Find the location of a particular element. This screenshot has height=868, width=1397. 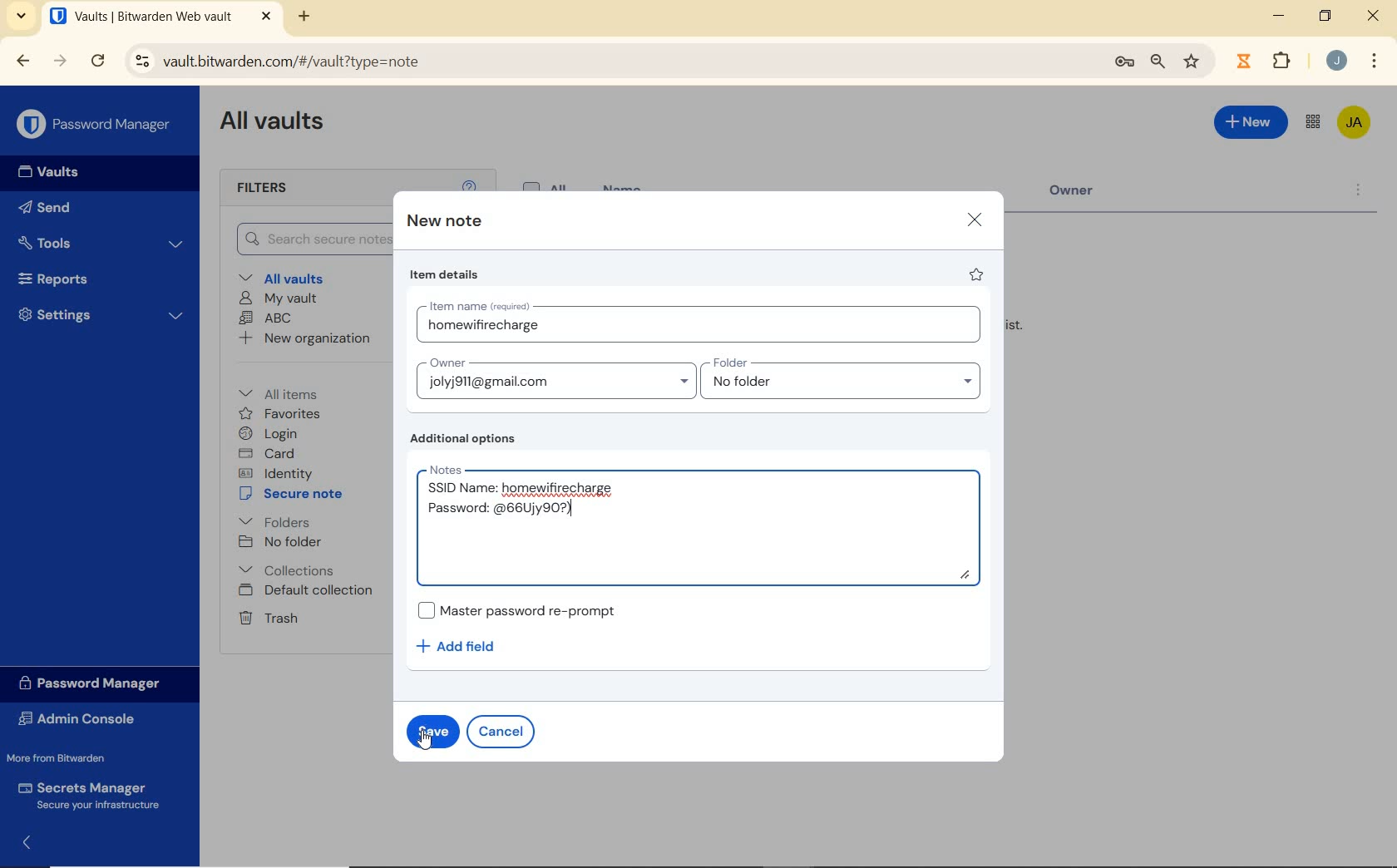

folder is located at coordinates (842, 378).